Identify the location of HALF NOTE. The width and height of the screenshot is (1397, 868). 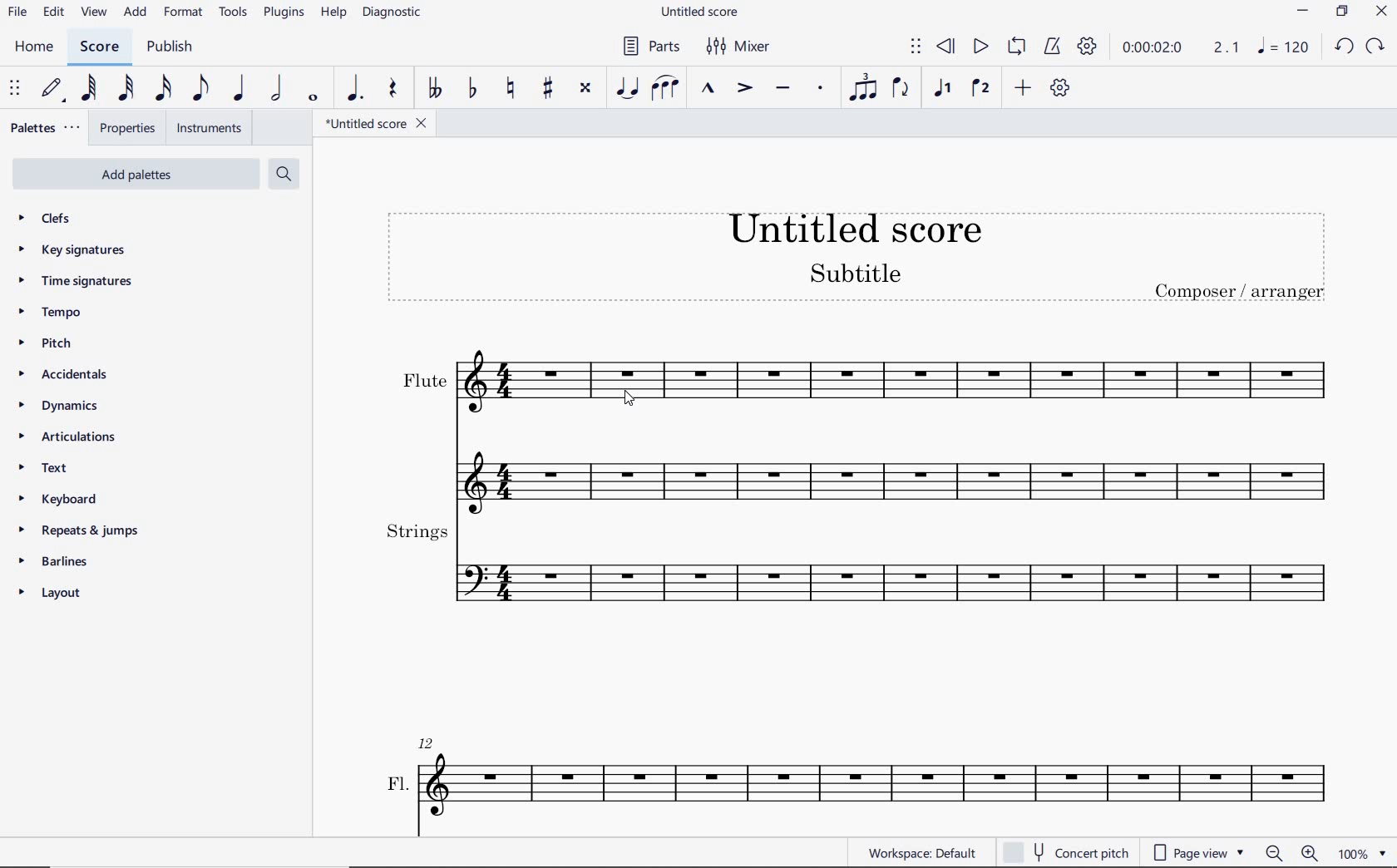
(279, 89).